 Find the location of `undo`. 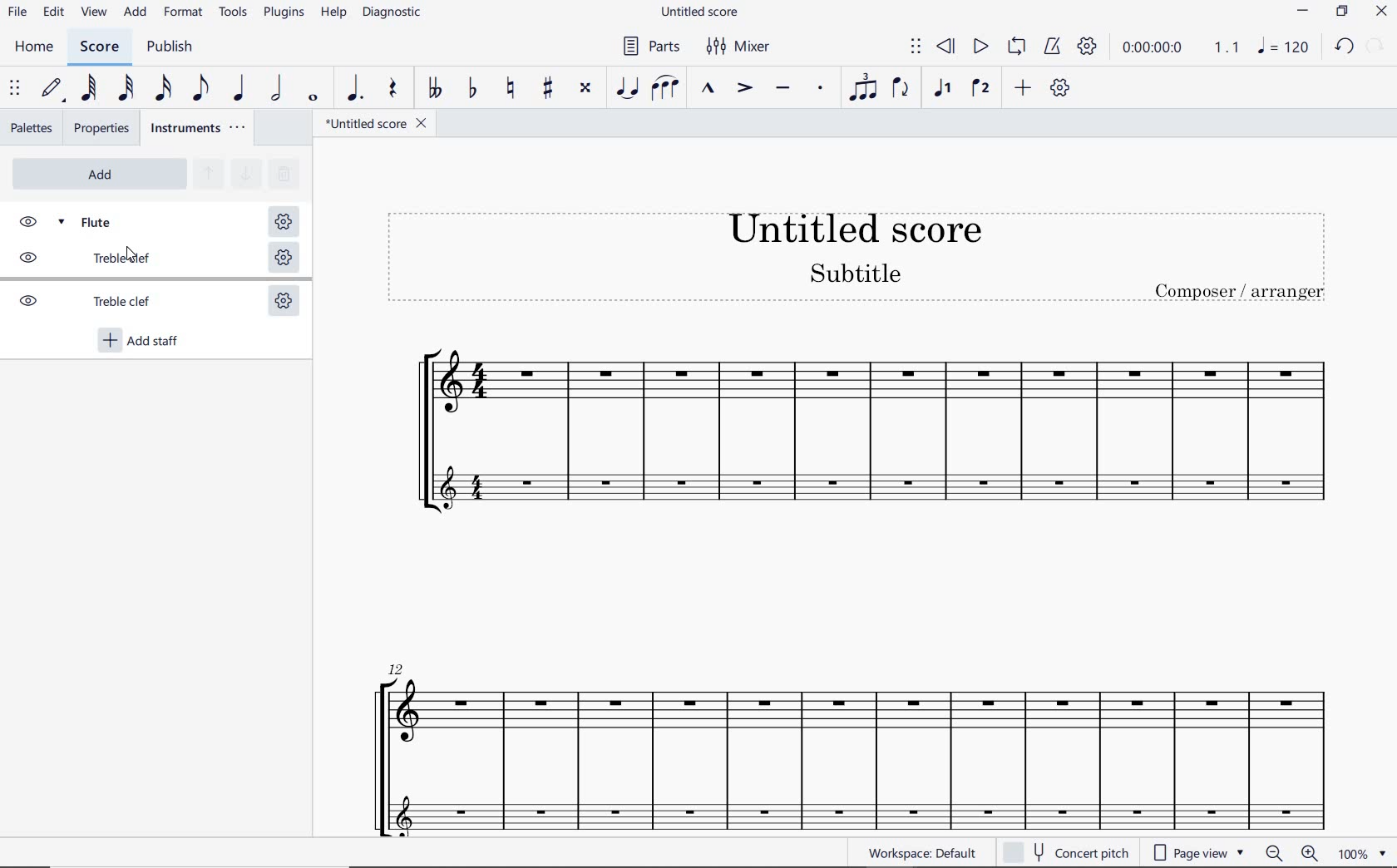

undo is located at coordinates (1345, 47).